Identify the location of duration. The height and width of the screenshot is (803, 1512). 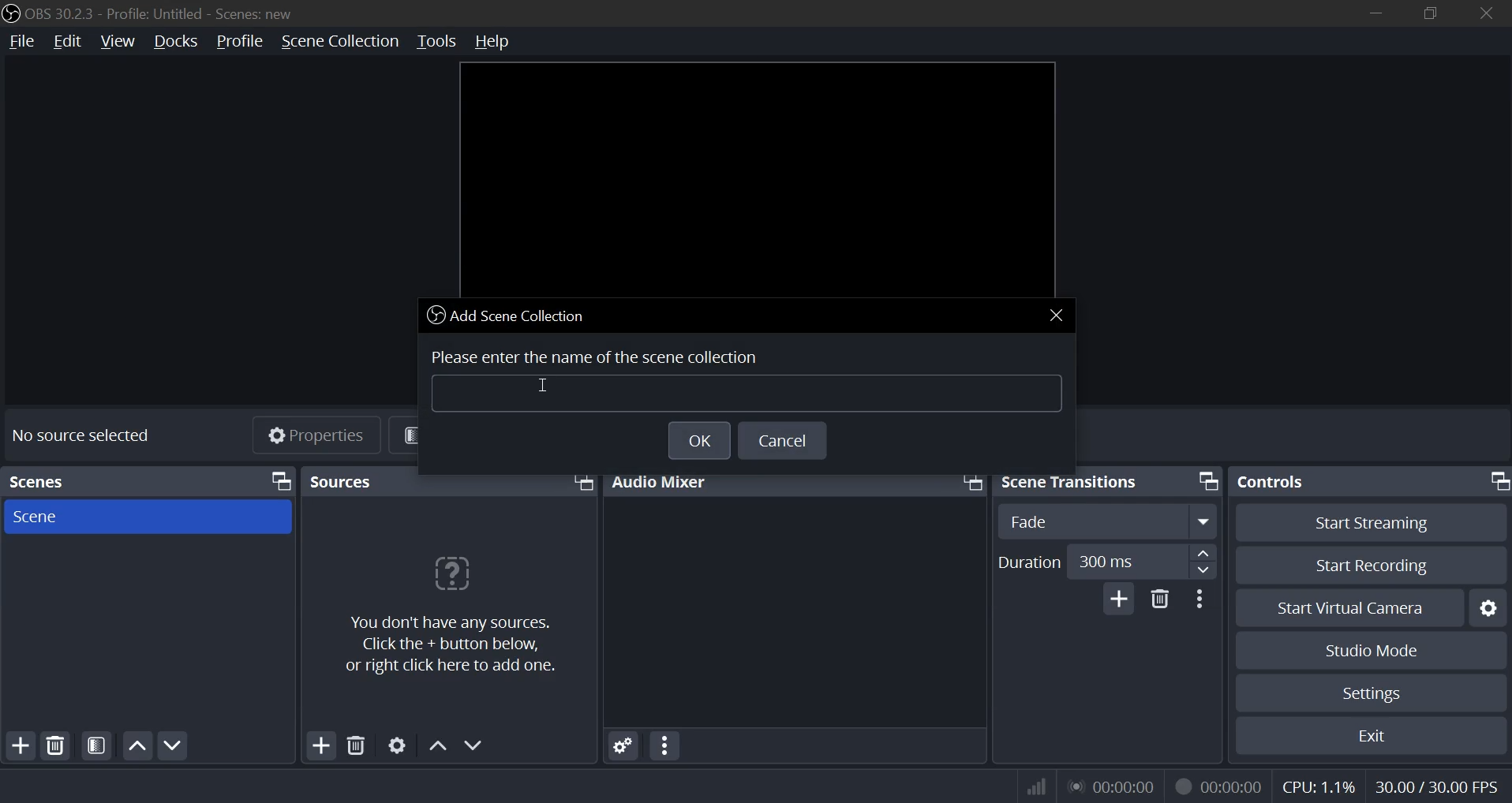
(1031, 562).